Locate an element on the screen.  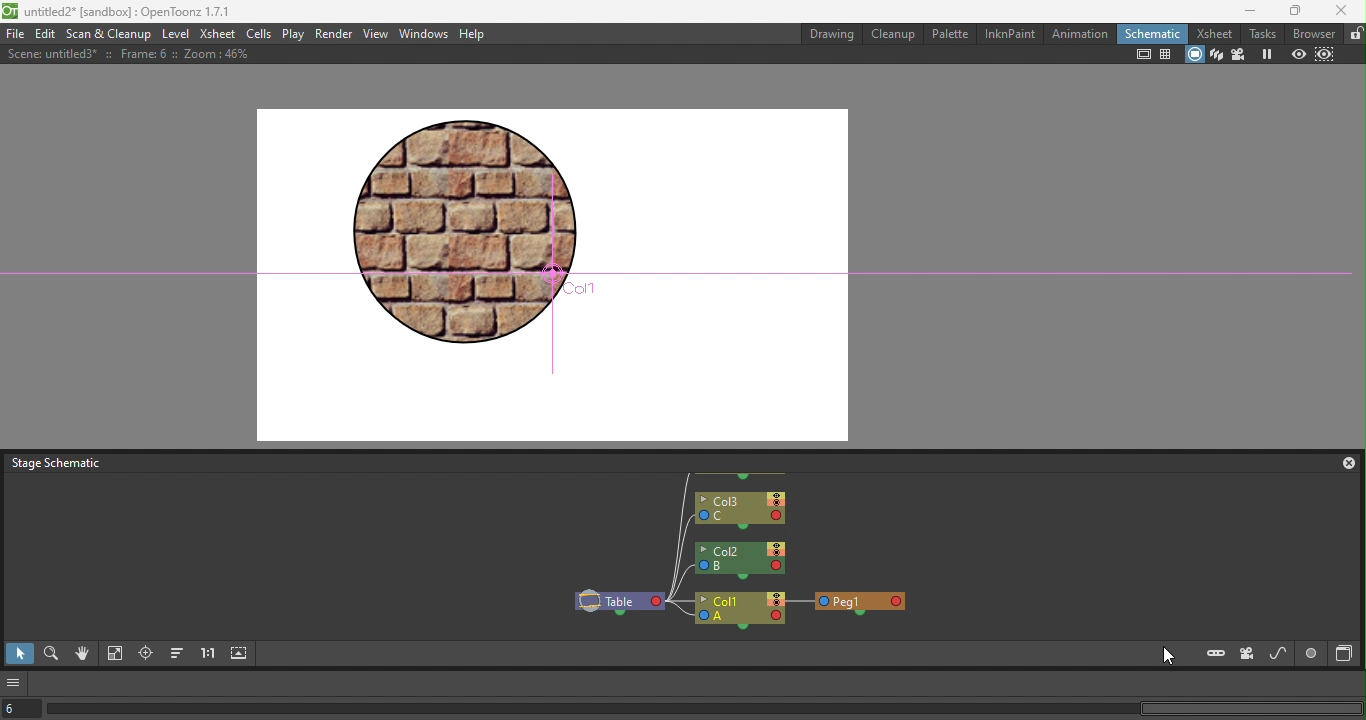
Scene: untitle3* :: Frame: 6 :: Zoom :46% is located at coordinates (135, 54).